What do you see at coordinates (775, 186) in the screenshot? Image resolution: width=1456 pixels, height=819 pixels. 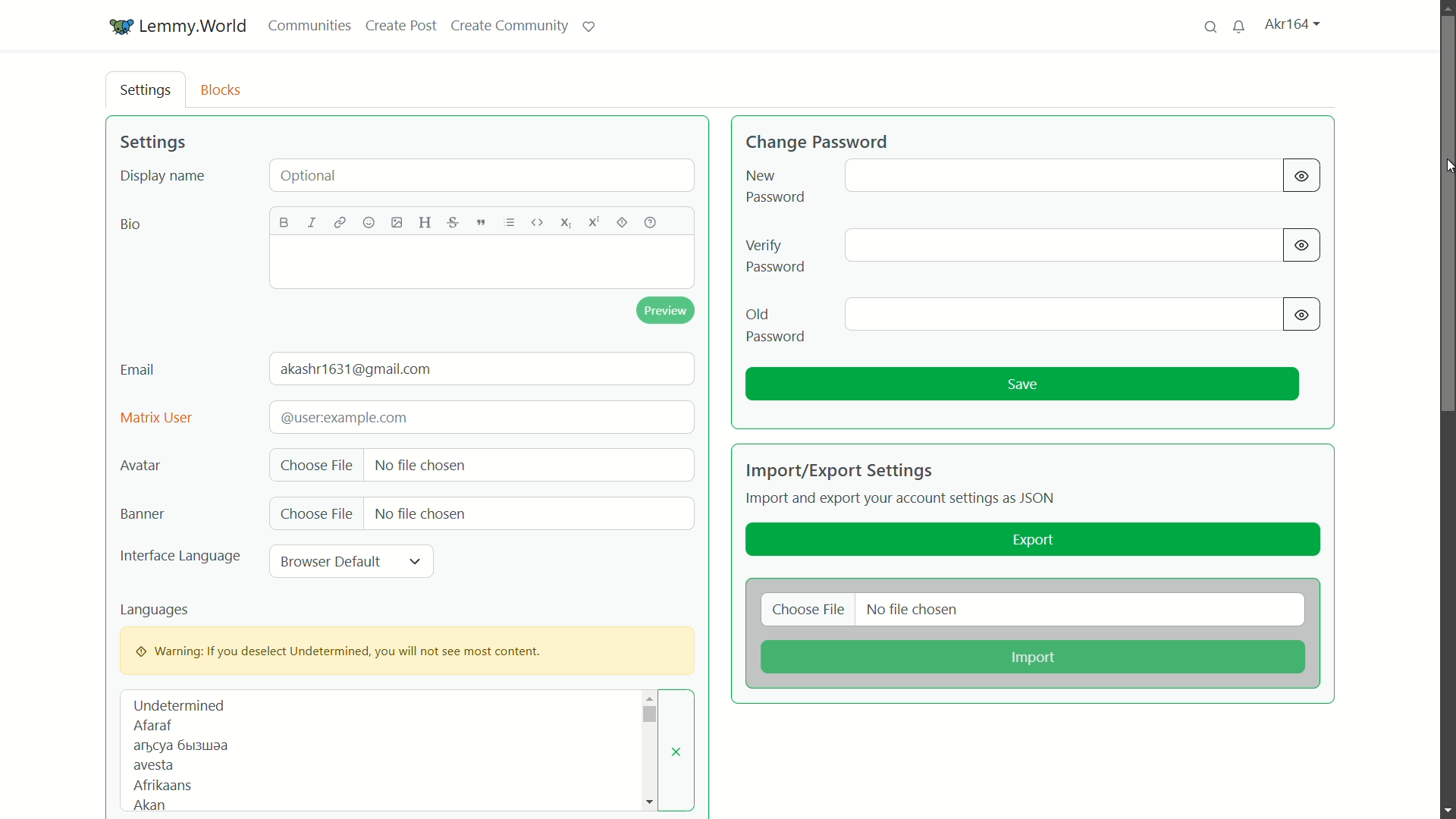 I see `new password` at bounding box center [775, 186].